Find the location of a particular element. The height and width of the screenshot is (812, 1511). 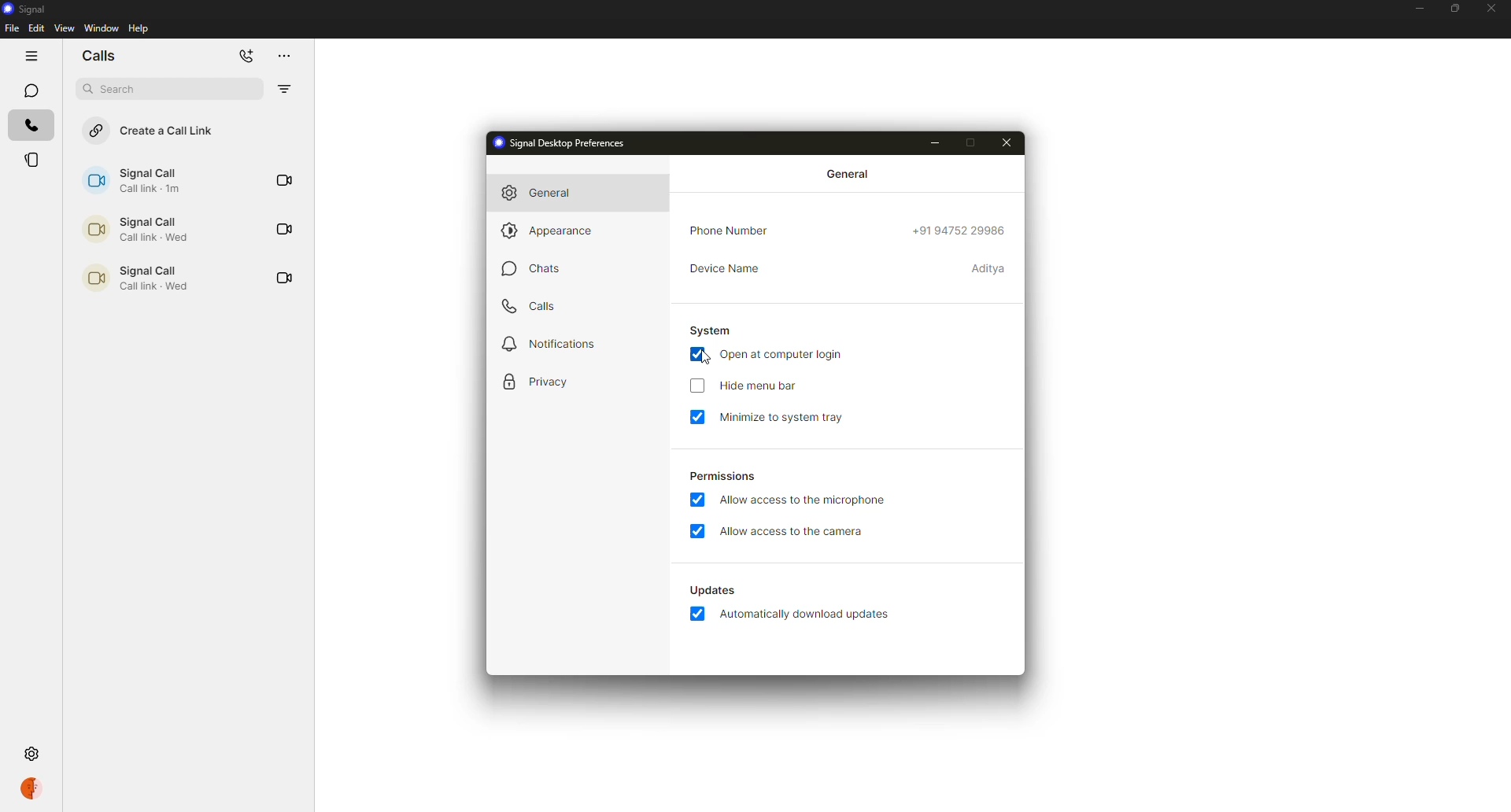

stories is located at coordinates (34, 160).